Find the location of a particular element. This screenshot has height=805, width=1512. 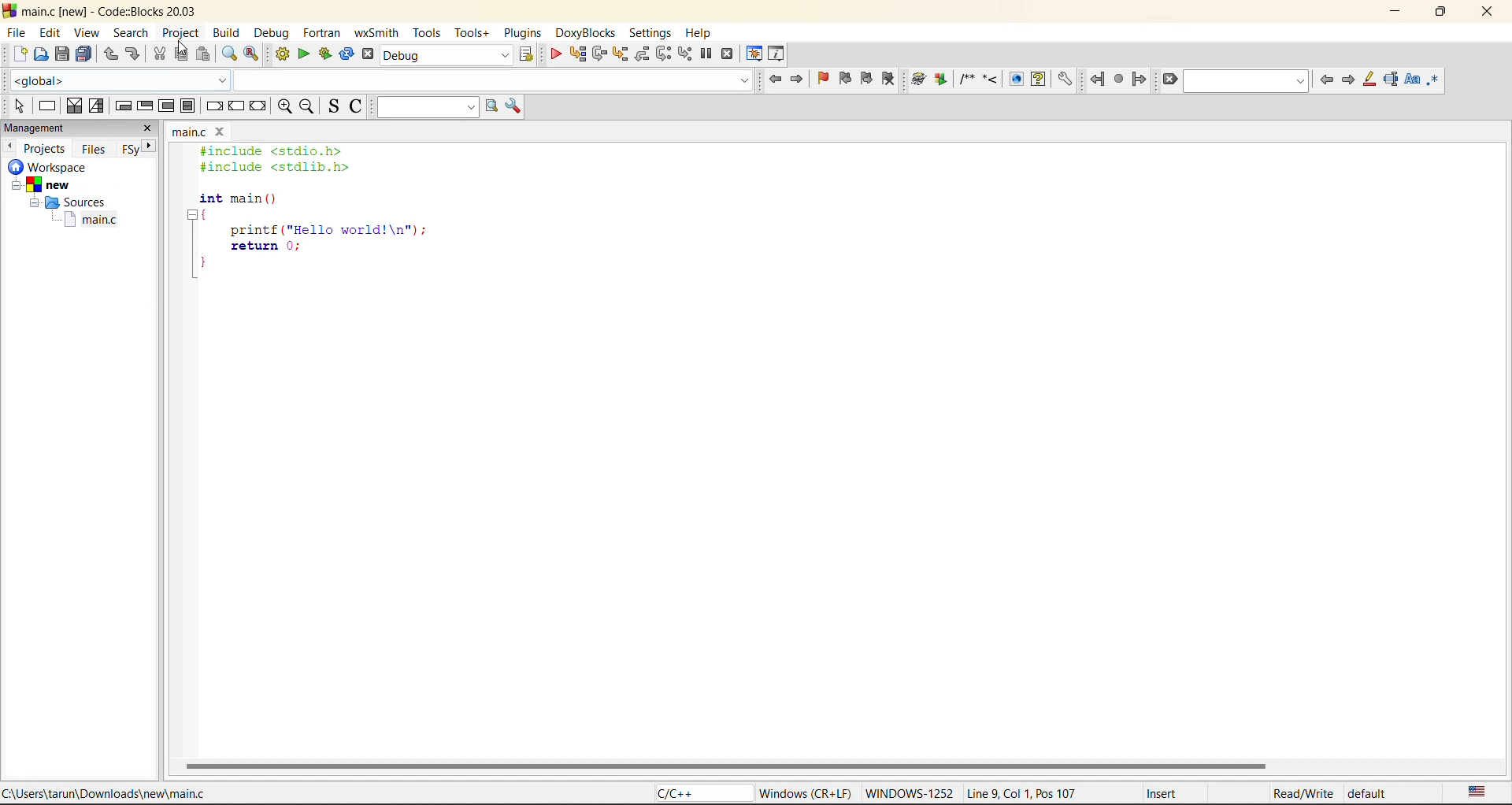

<global> is located at coordinates (120, 79).